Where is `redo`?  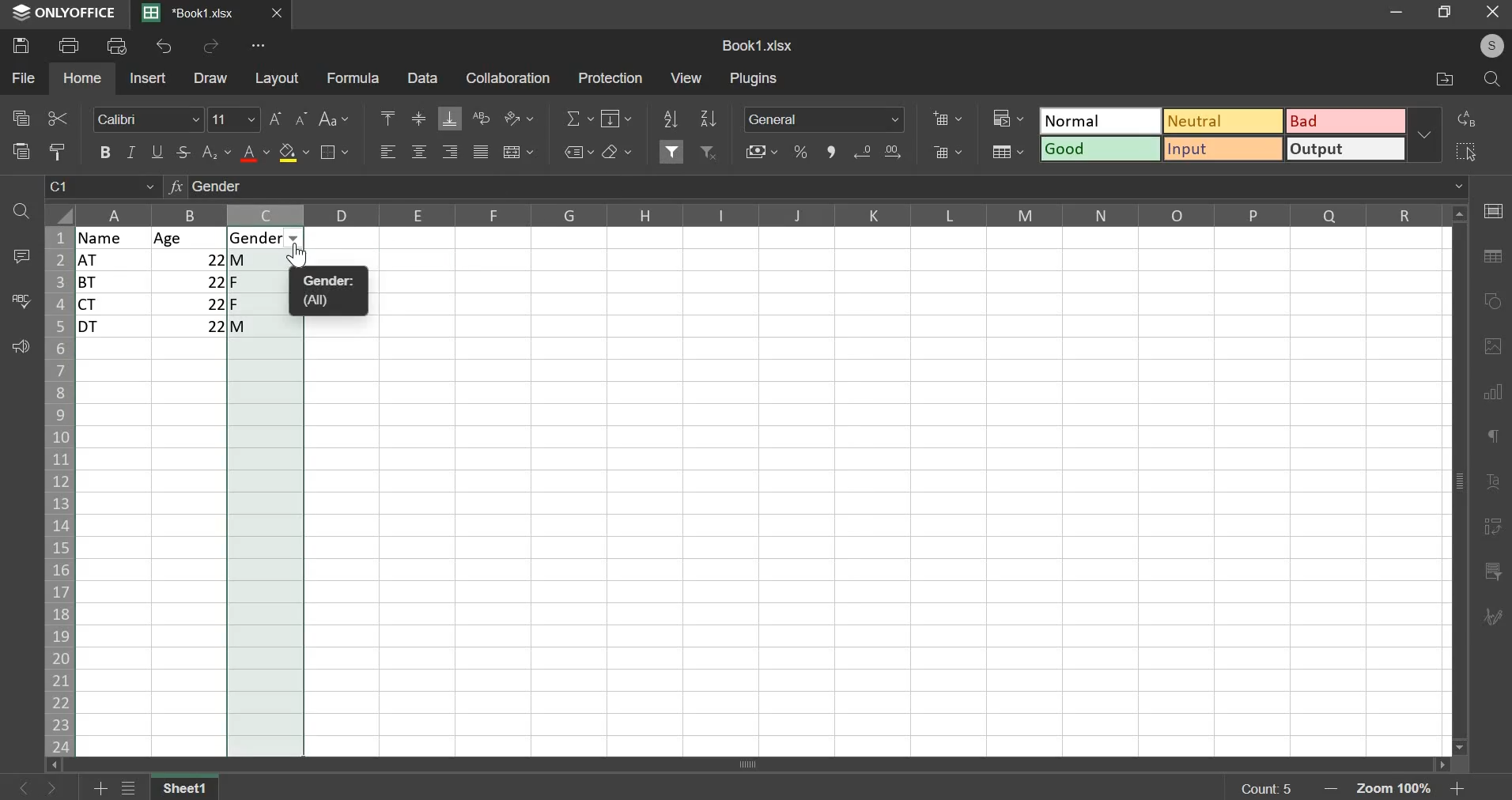 redo is located at coordinates (211, 47).